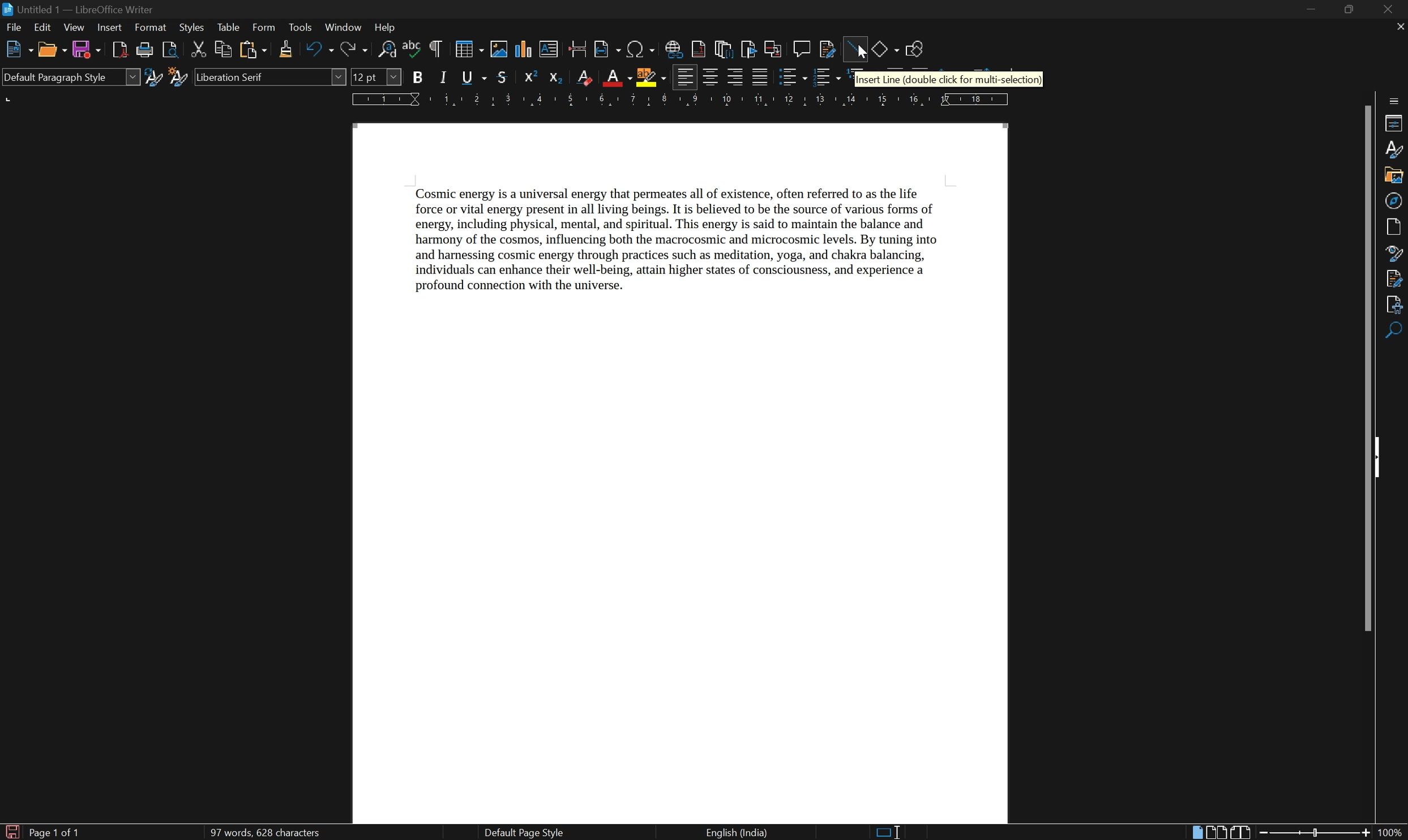 The image size is (1408, 840). I want to click on cut, so click(200, 49).